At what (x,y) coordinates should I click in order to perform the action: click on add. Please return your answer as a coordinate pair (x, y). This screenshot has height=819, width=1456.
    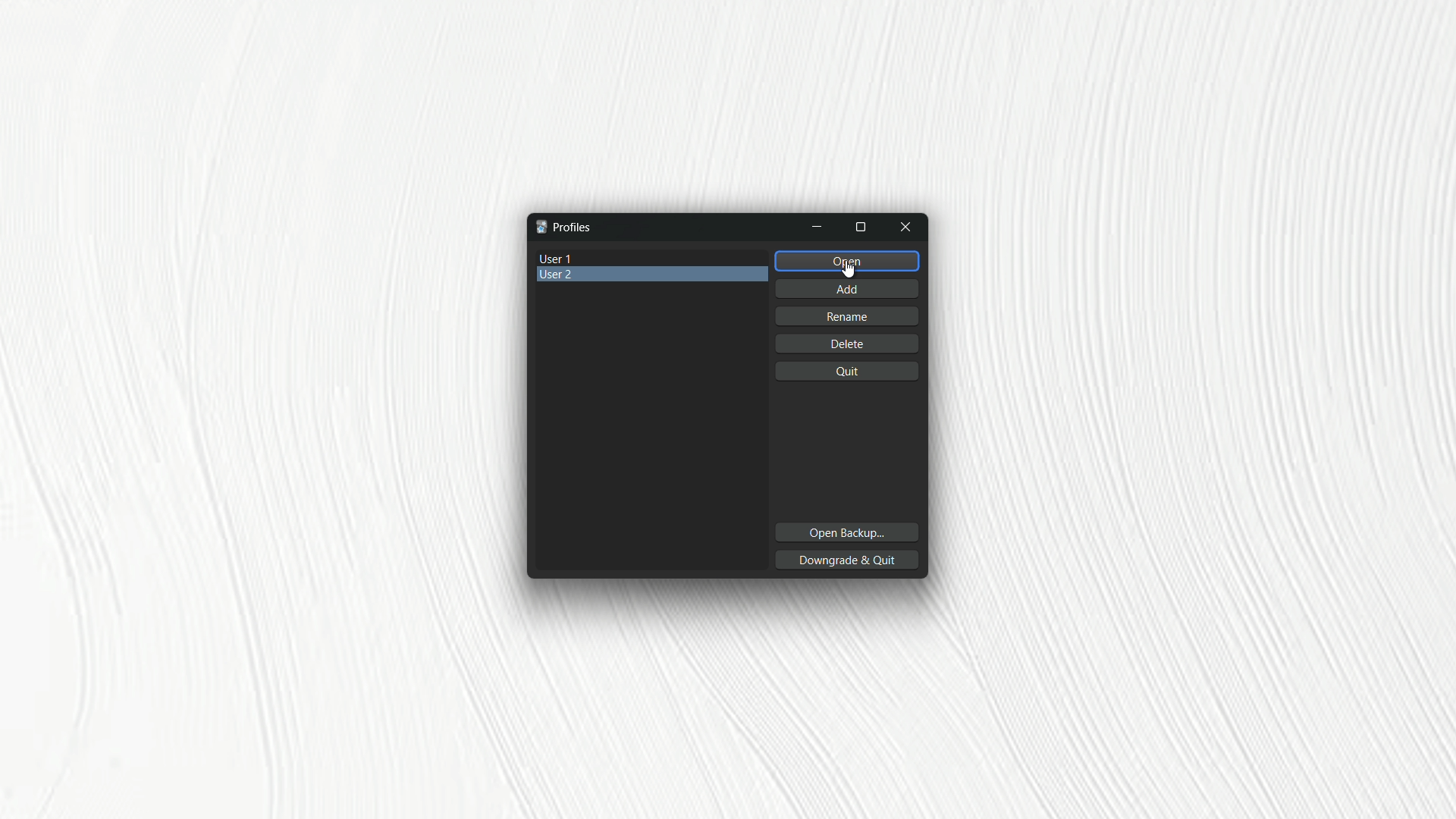
    Looking at the image, I should click on (846, 287).